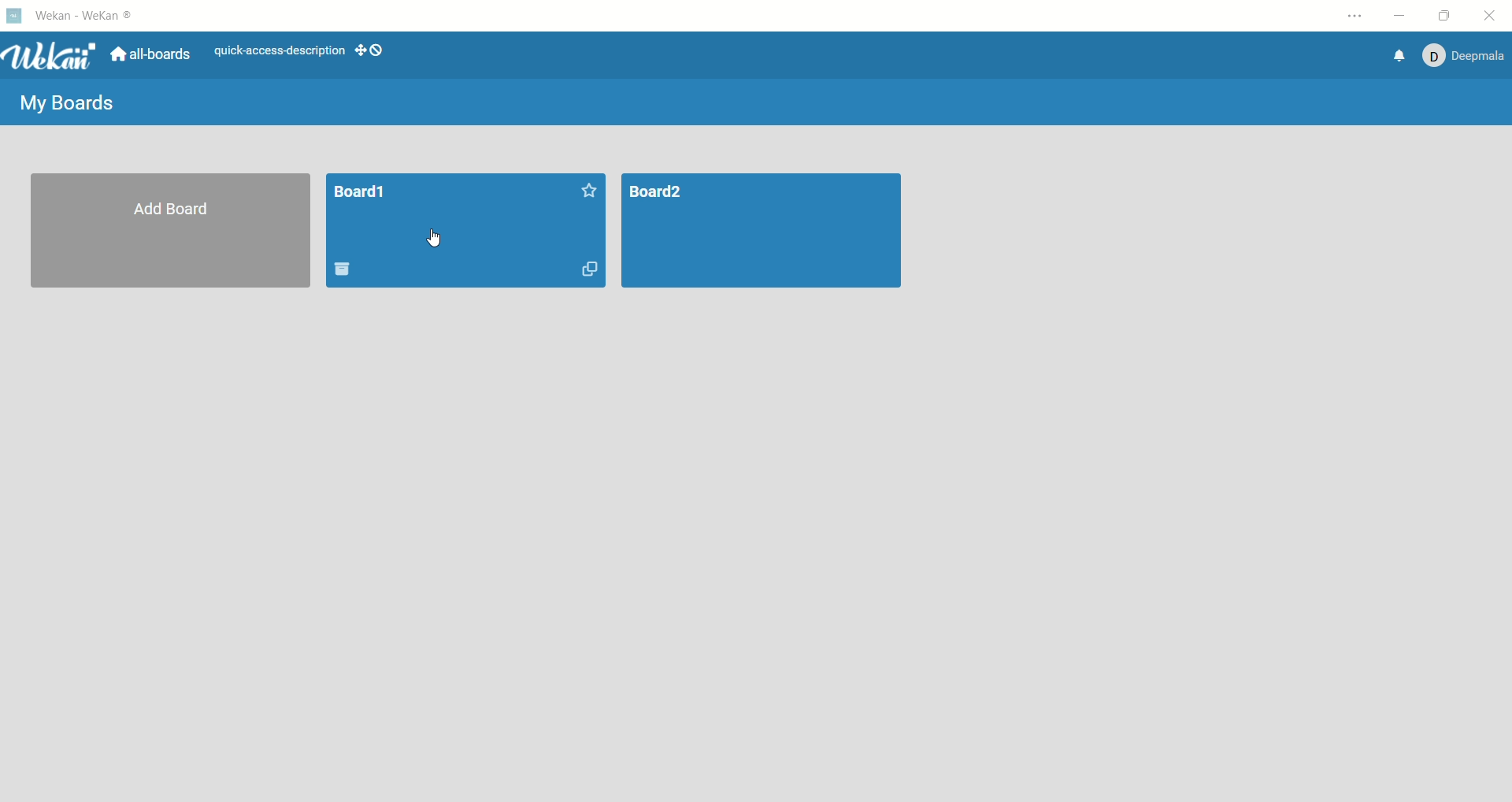 The image size is (1512, 802). What do you see at coordinates (380, 49) in the screenshot?
I see `show-desktop-drag-handles` at bounding box center [380, 49].